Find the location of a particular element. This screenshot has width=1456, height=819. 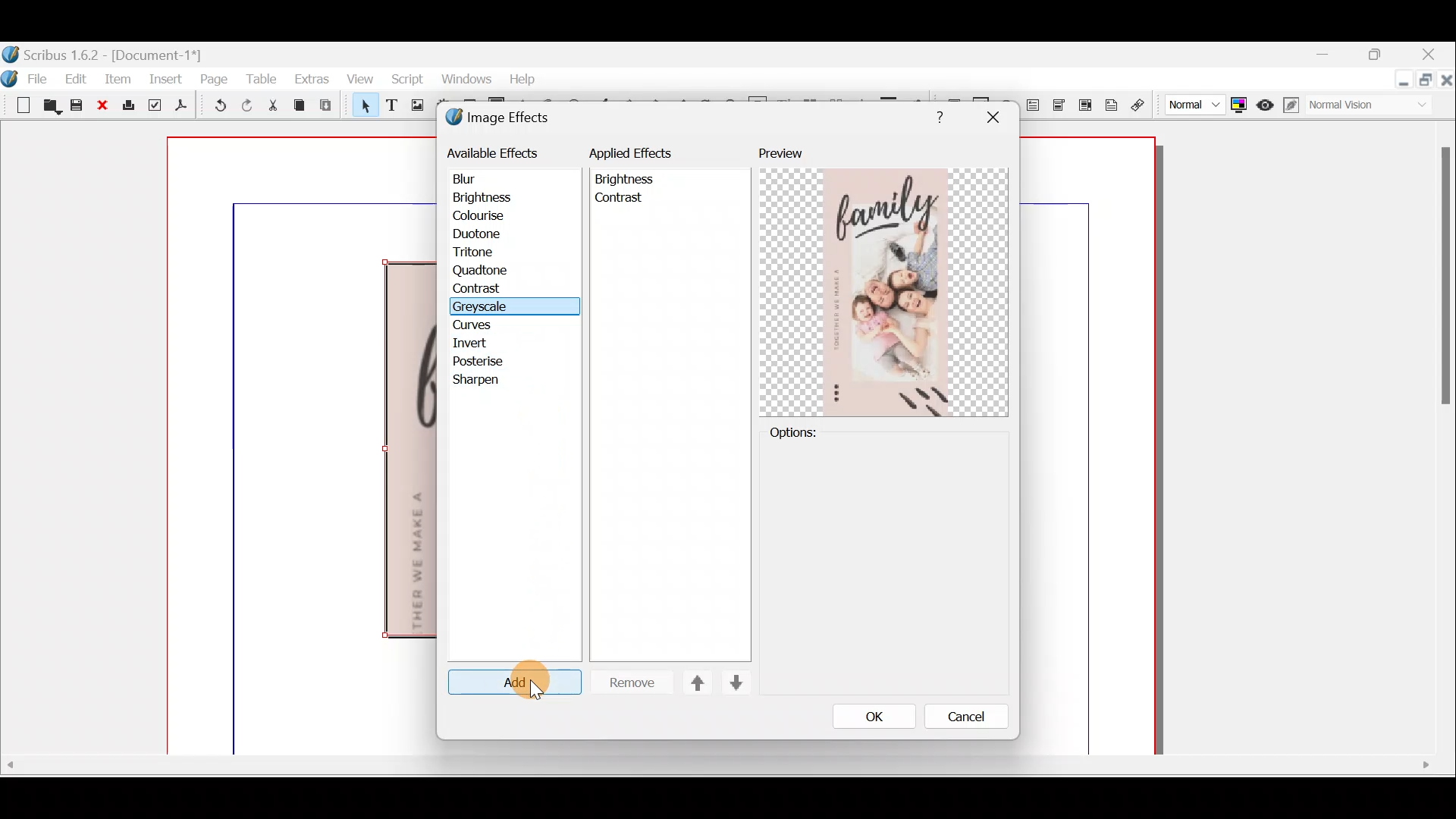

Table is located at coordinates (263, 80).